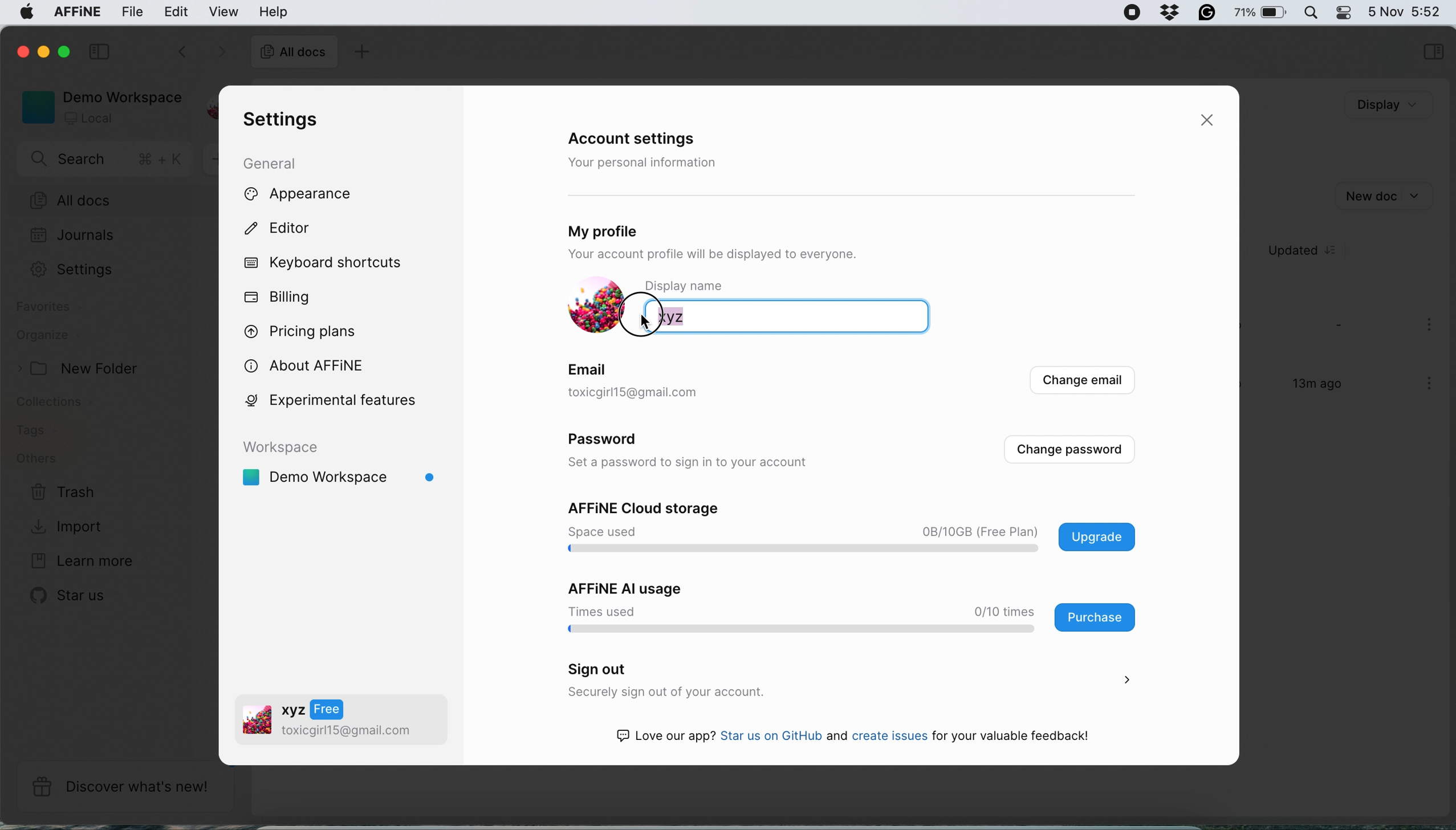  I want to click on close, so click(21, 50).